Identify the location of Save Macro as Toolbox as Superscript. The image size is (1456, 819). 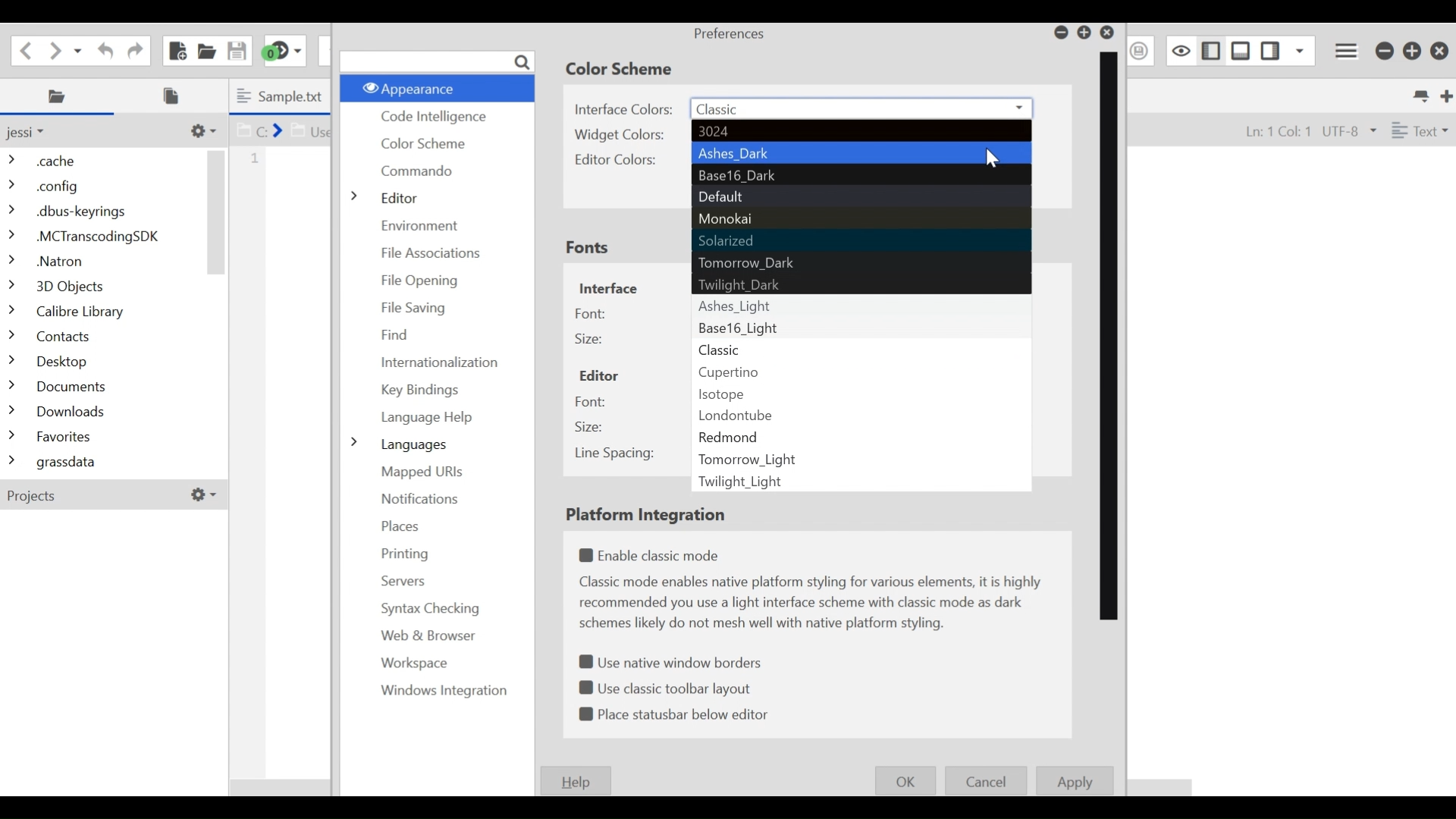
(1141, 50).